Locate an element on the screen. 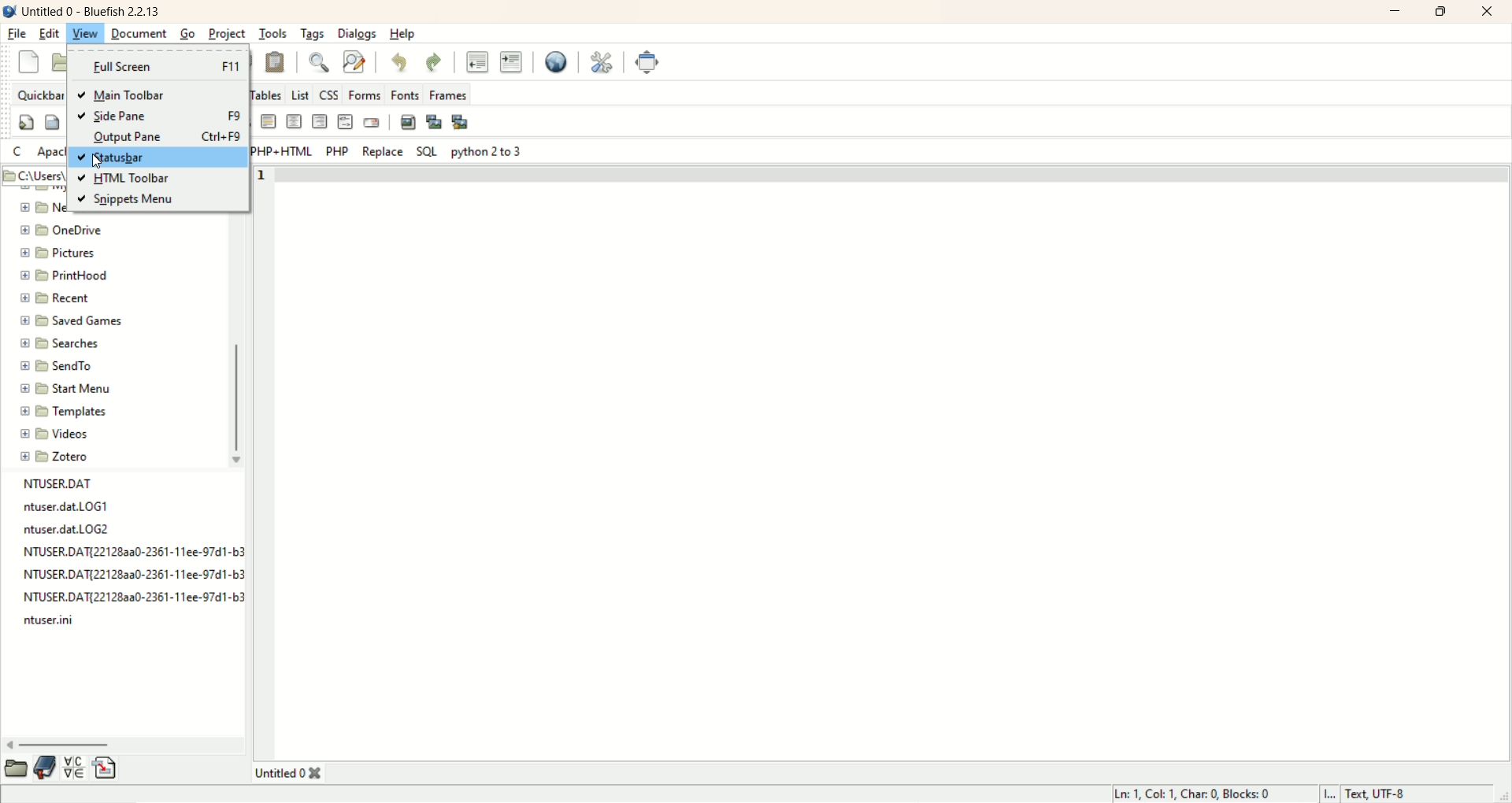 The image size is (1512, 803). horizontal scroll bar is located at coordinates (125, 743).